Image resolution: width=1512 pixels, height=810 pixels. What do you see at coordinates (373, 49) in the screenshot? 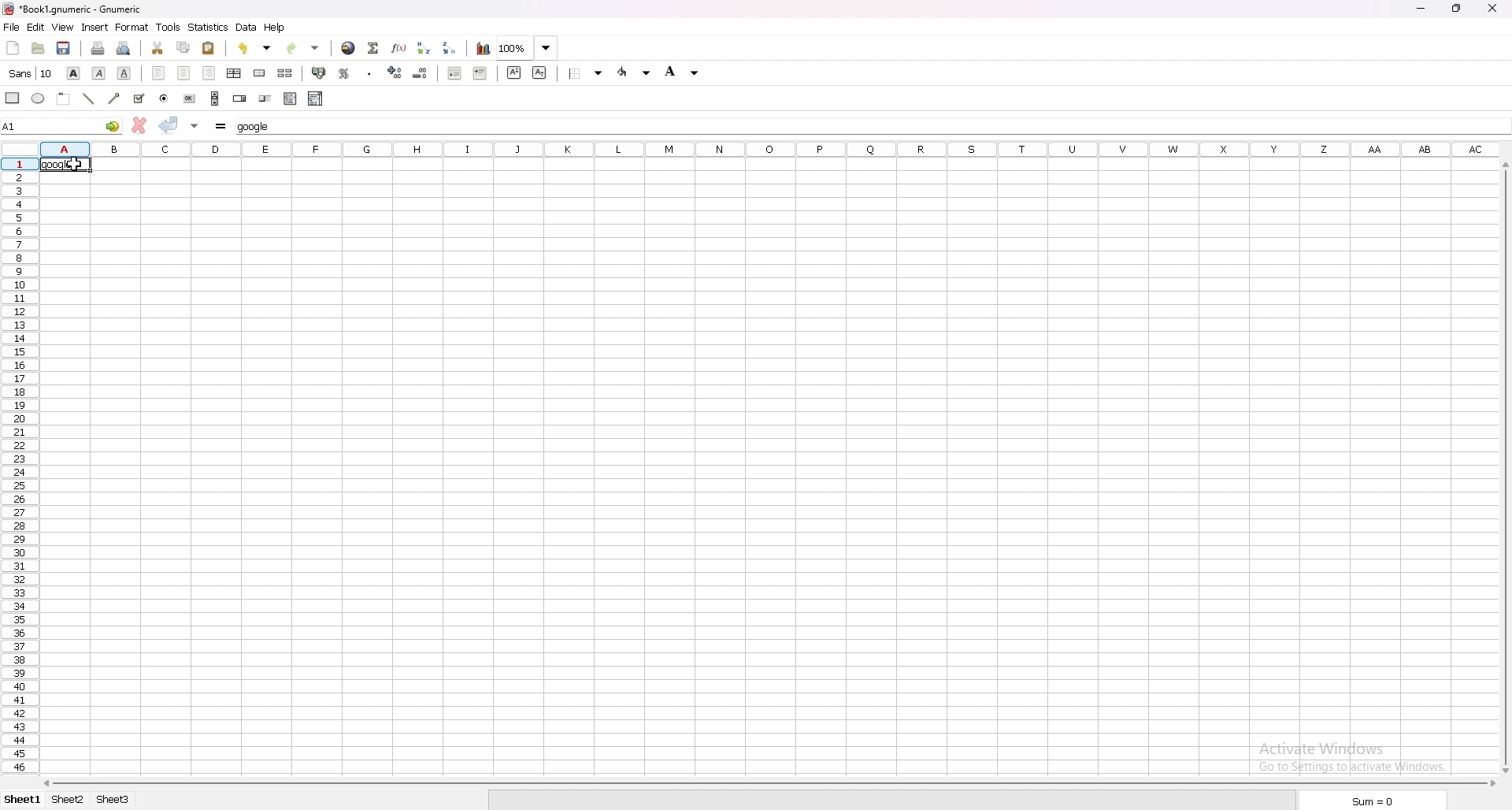
I see `summation` at bounding box center [373, 49].